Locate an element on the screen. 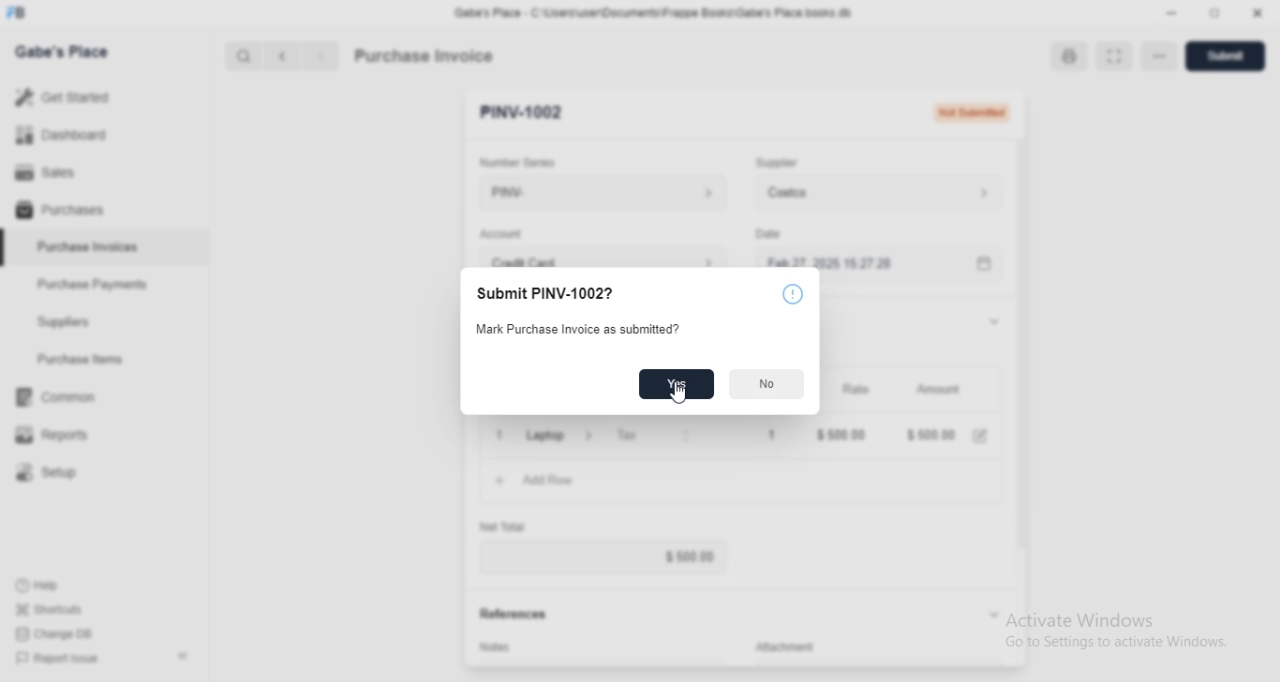  ‘Gabe's Place - C\Users\useriDocuments\Frappe Books\Gabe's Place books db. is located at coordinates (653, 12).